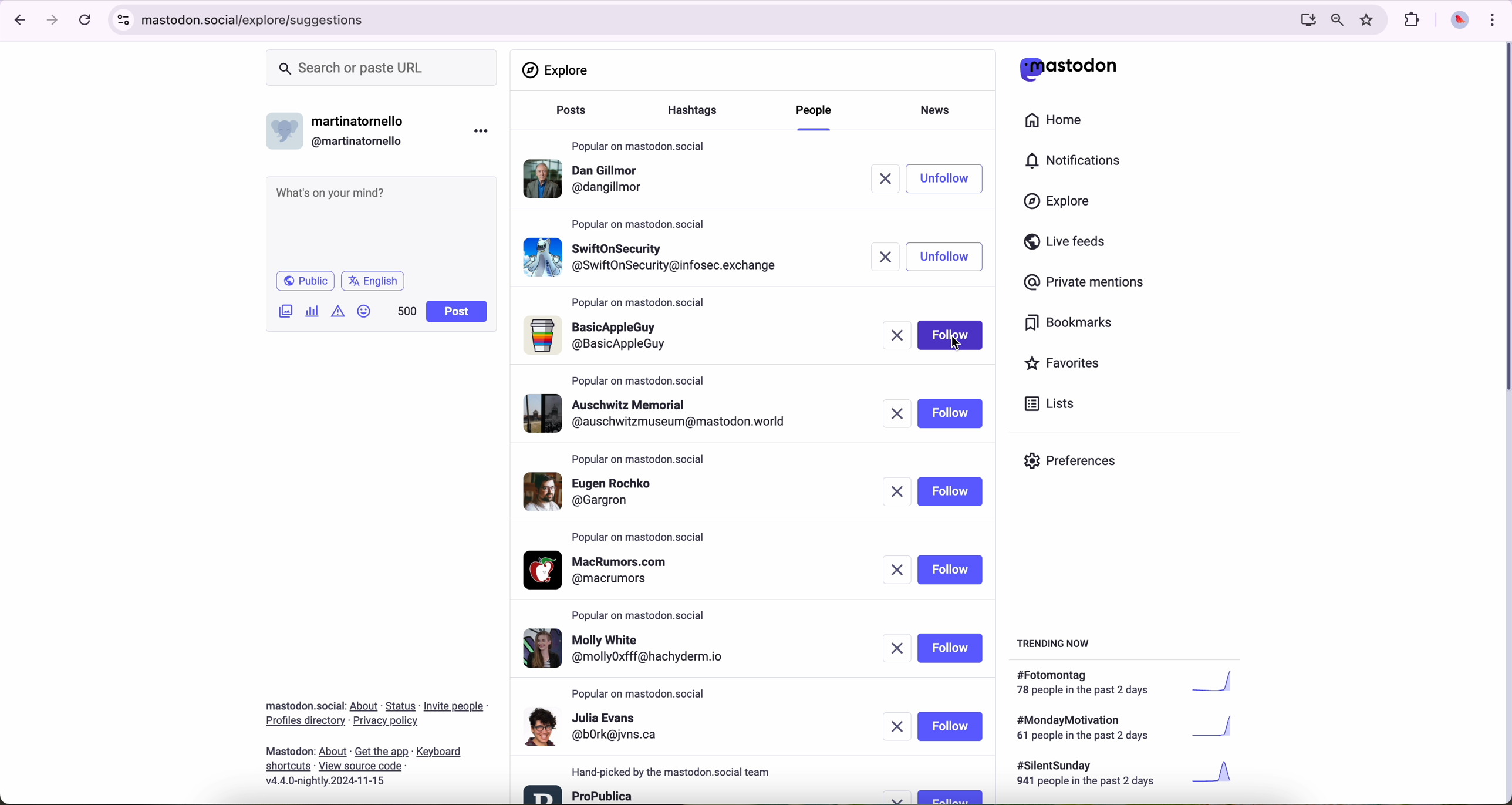 This screenshot has height=805, width=1512. I want to click on navigate foward, so click(53, 21).